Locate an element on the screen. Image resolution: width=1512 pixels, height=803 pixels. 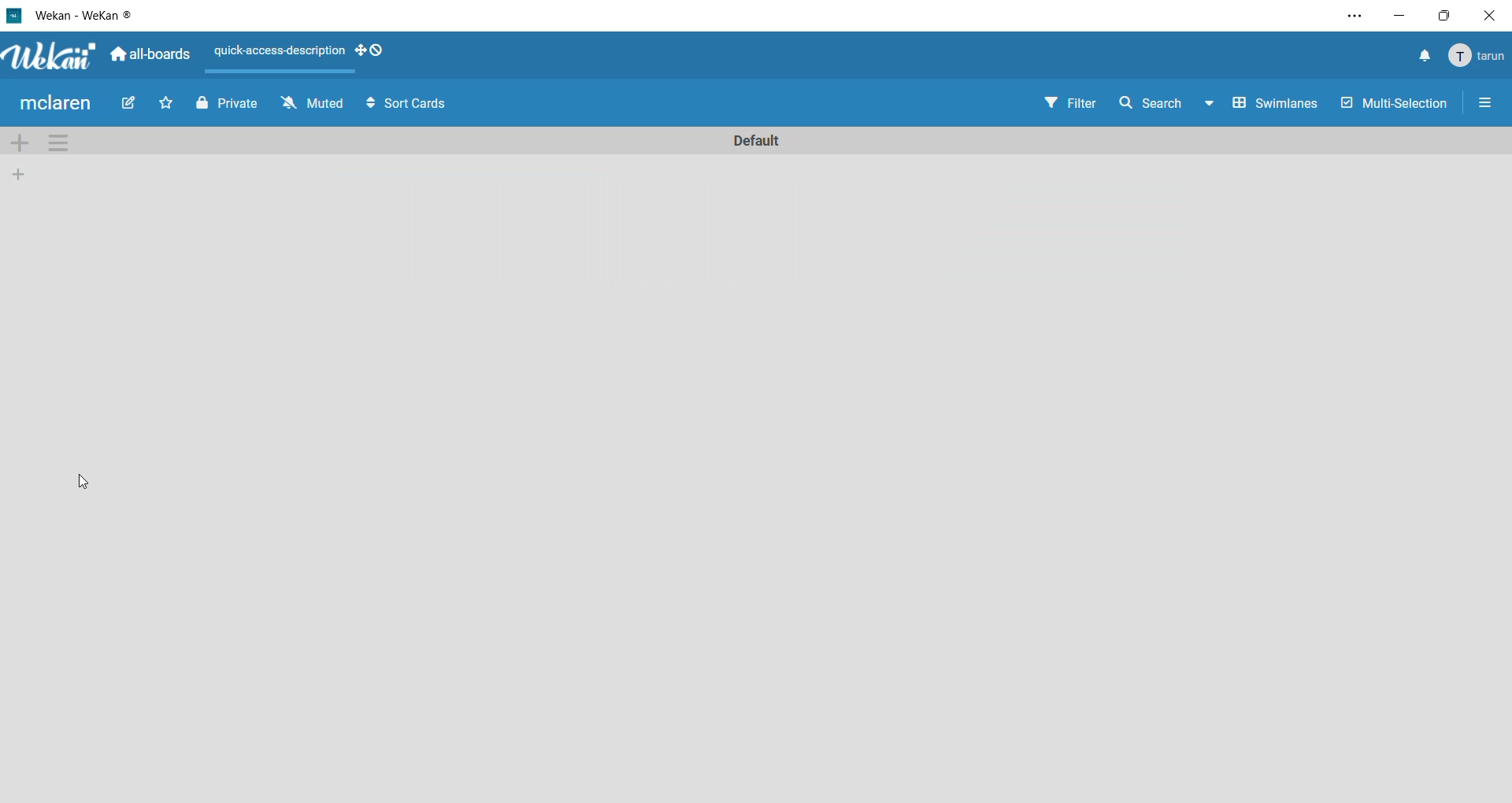
modern is located at coordinates (54, 105).